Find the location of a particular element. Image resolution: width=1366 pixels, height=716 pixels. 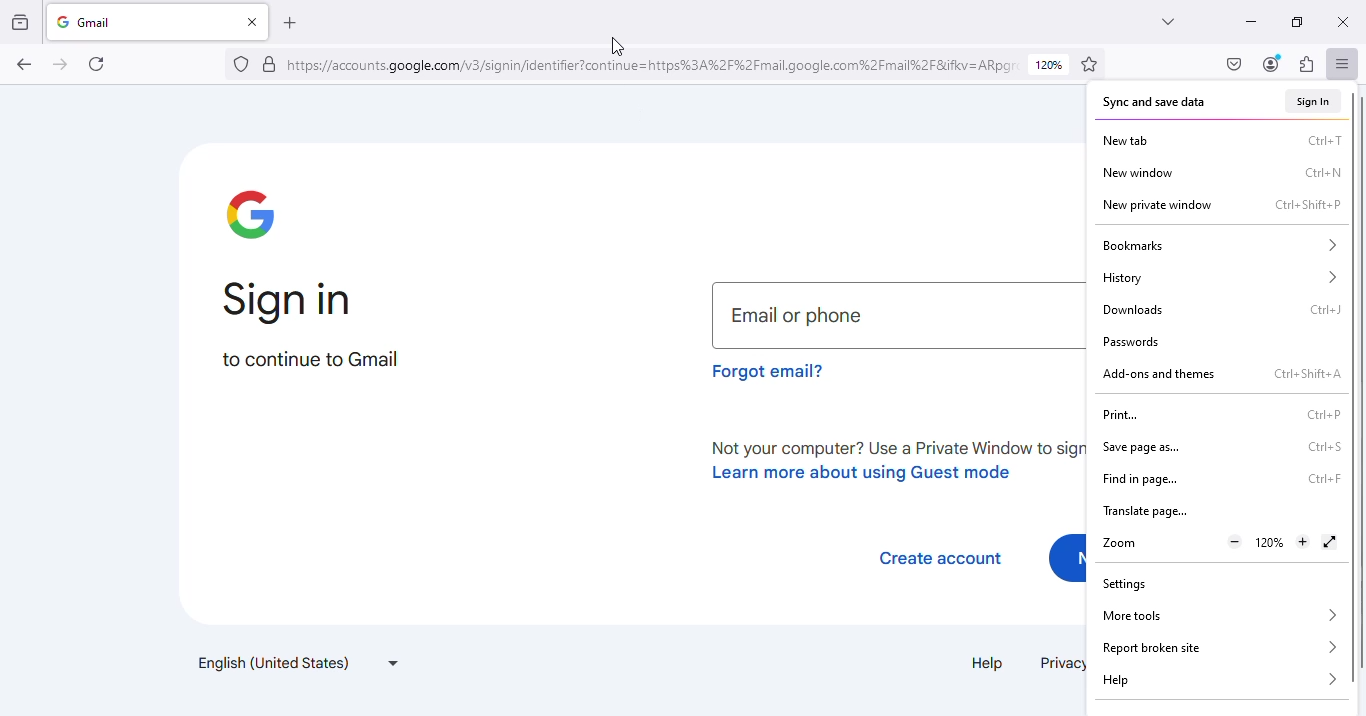

no trackers known to firefox were detected on this page is located at coordinates (242, 64).